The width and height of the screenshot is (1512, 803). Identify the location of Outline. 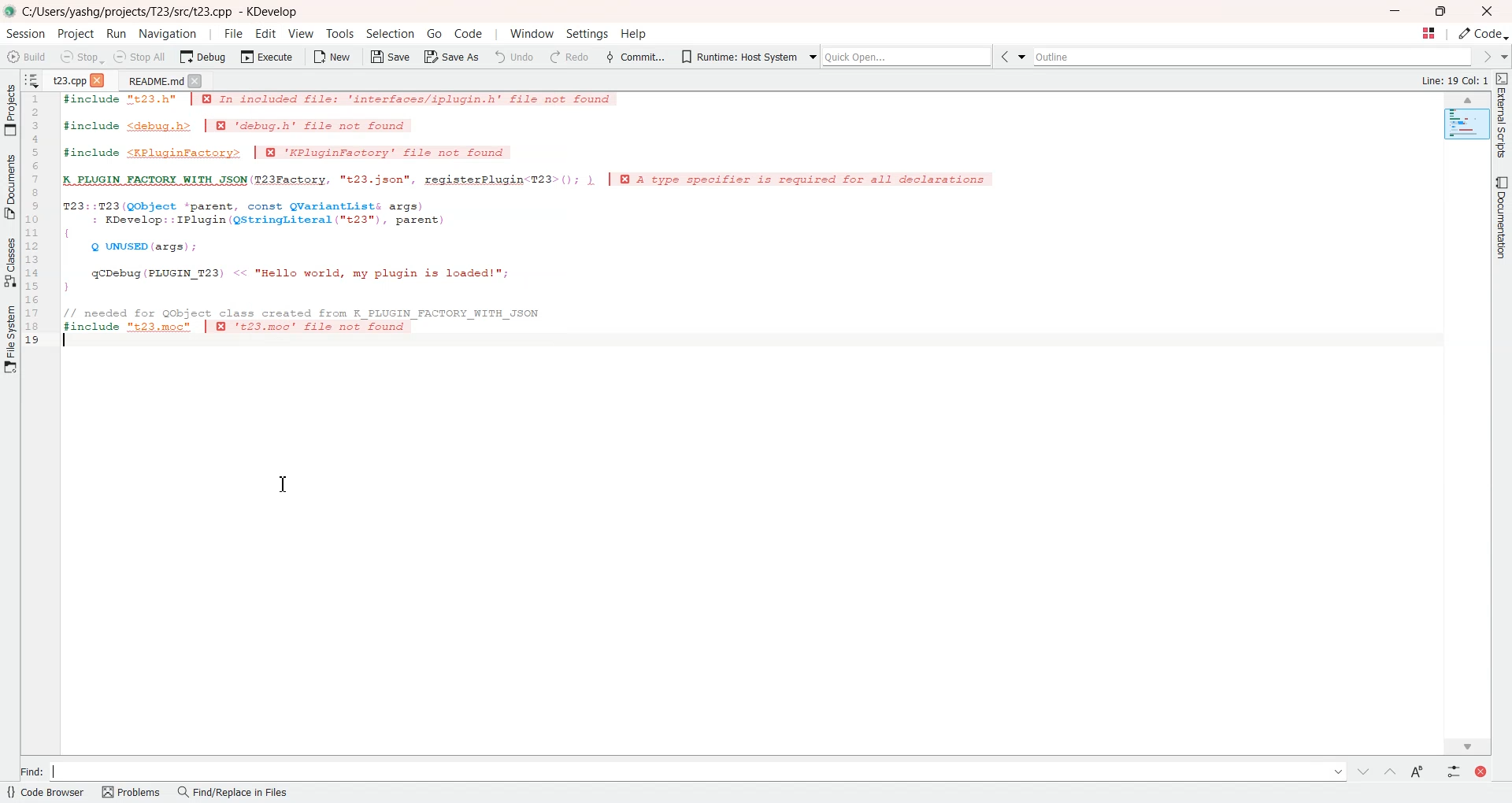
(1255, 57).